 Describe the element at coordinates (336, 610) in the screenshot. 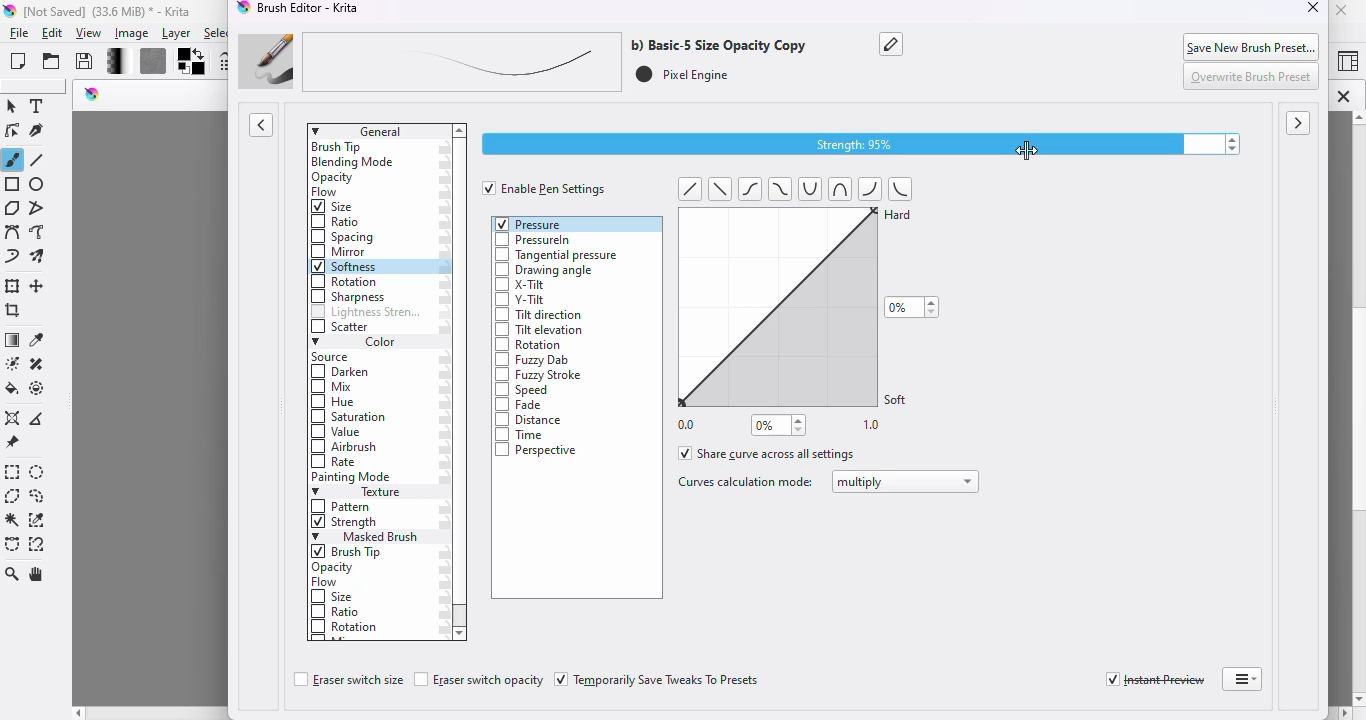

I see `ratio` at that location.